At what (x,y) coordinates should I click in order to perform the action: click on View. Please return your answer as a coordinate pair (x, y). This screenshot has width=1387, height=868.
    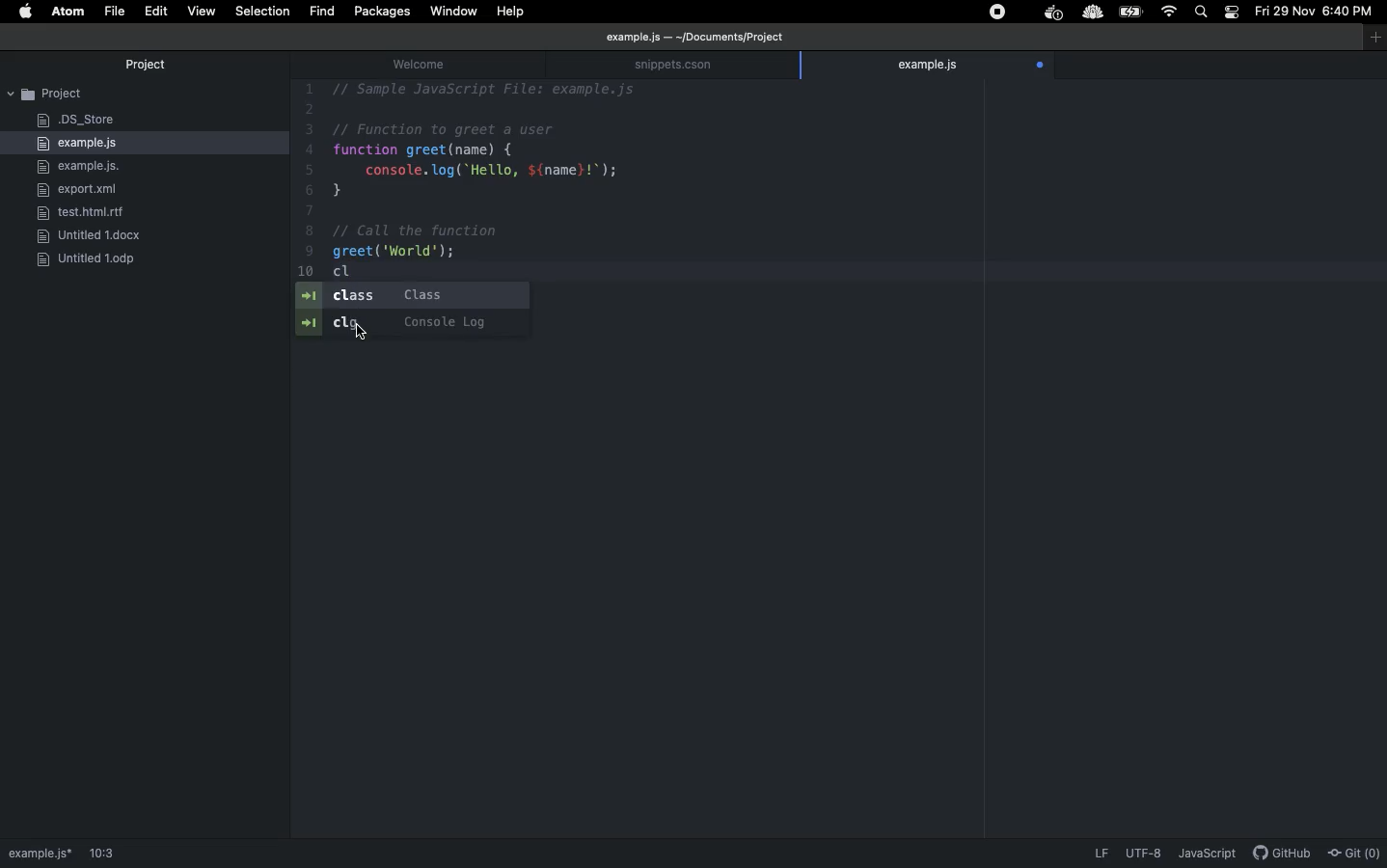
    Looking at the image, I should click on (202, 12).